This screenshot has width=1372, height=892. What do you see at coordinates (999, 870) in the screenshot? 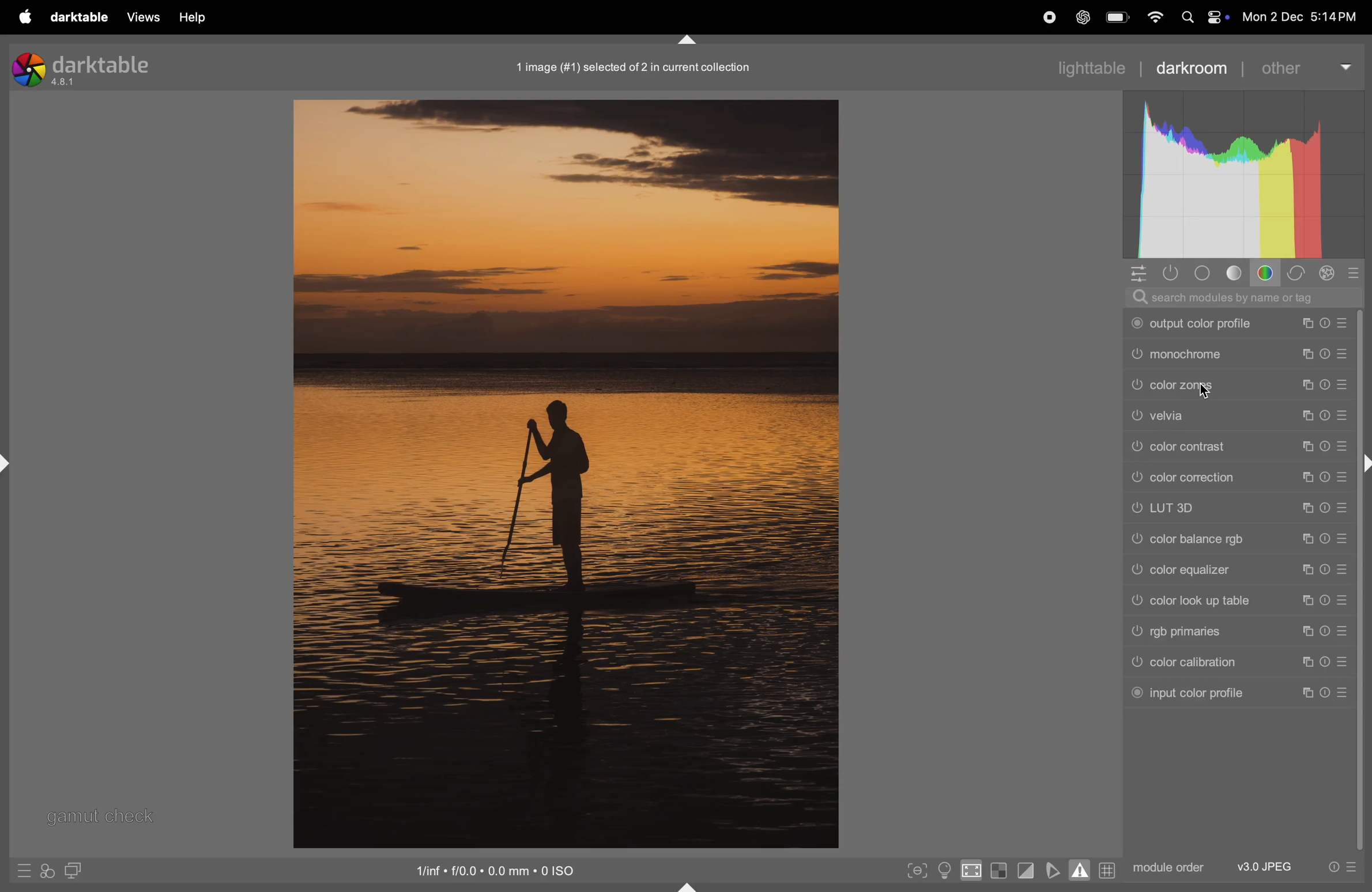
I see `toggle indication of raw exposure` at bounding box center [999, 870].